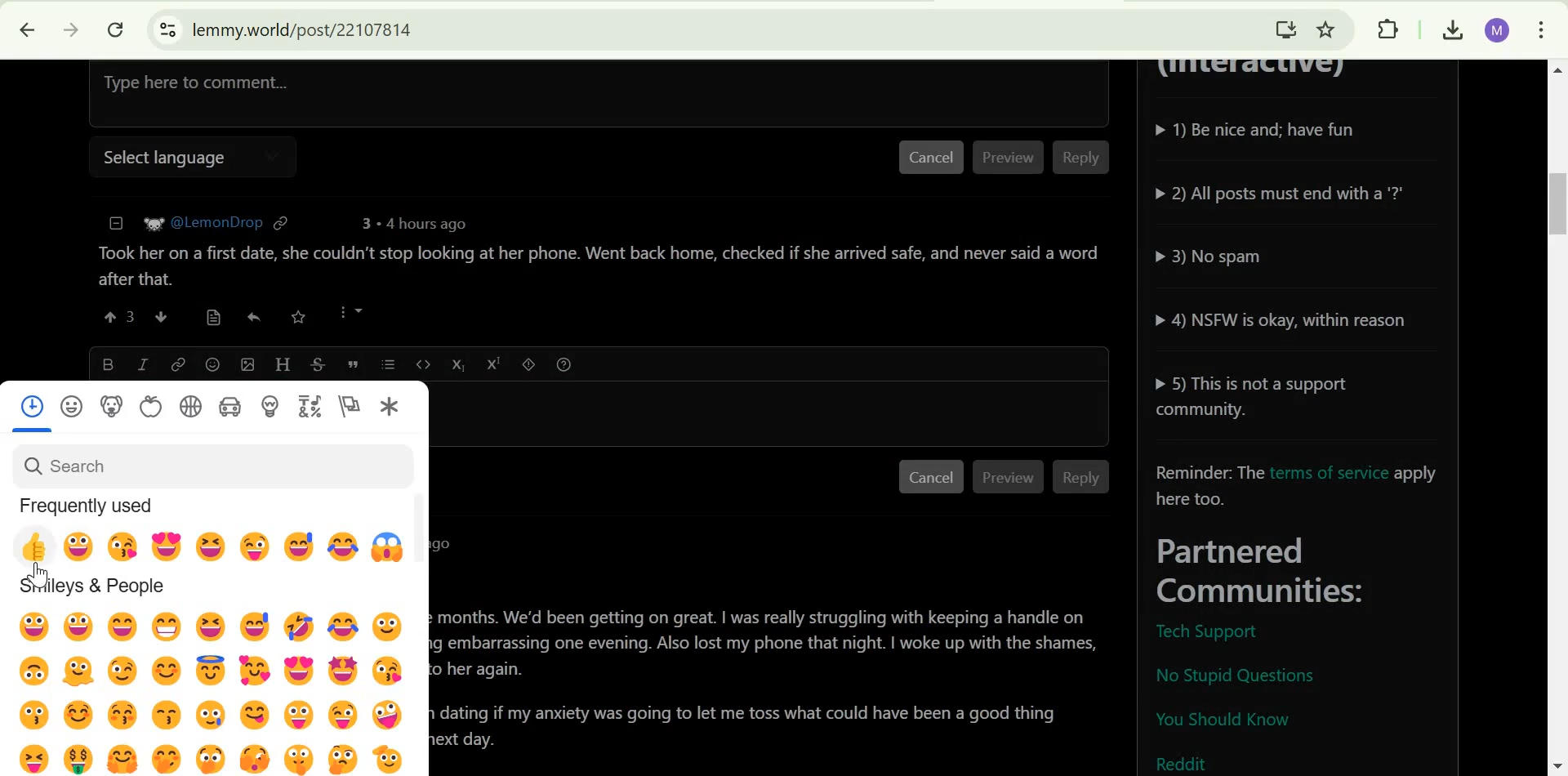 The width and height of the screenshot is (1568, 776). What do you see at coordinates (1083, 477) in the screenshot?
I see `Reply` at bounding box center [1083, 477].